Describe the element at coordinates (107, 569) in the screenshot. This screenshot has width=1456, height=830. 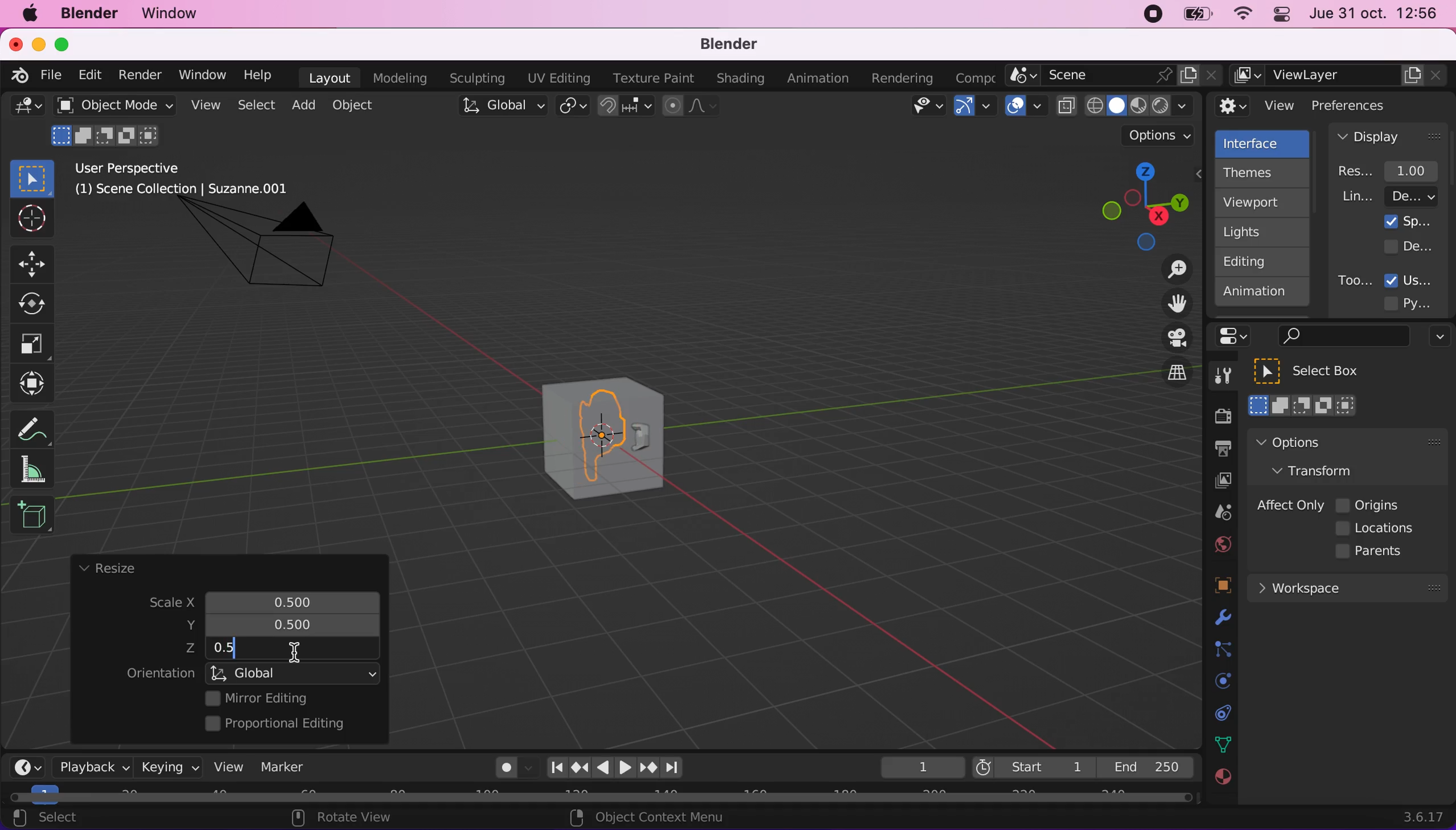
I see `resize` at that location.